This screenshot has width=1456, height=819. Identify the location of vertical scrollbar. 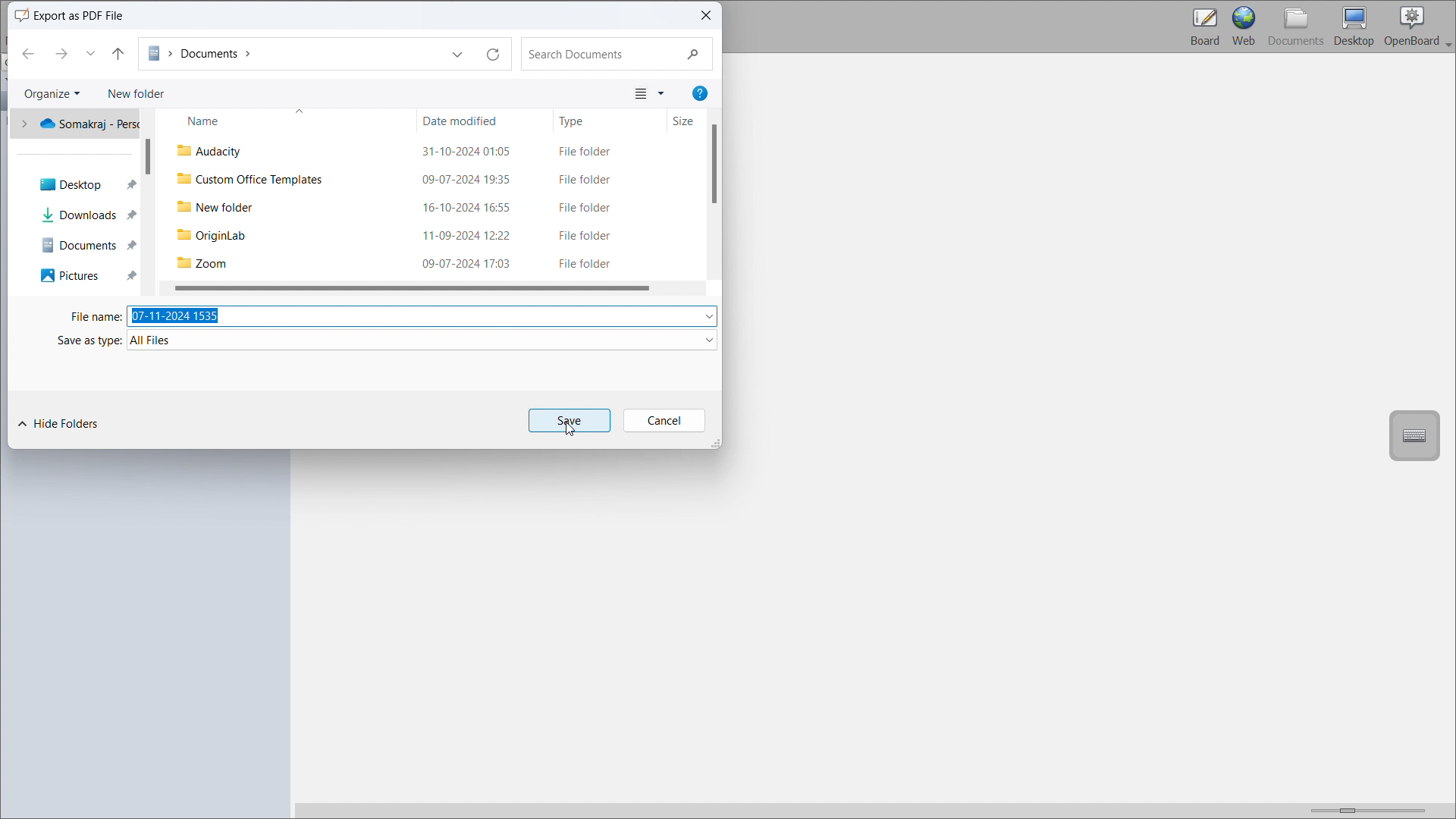
(152, 156).